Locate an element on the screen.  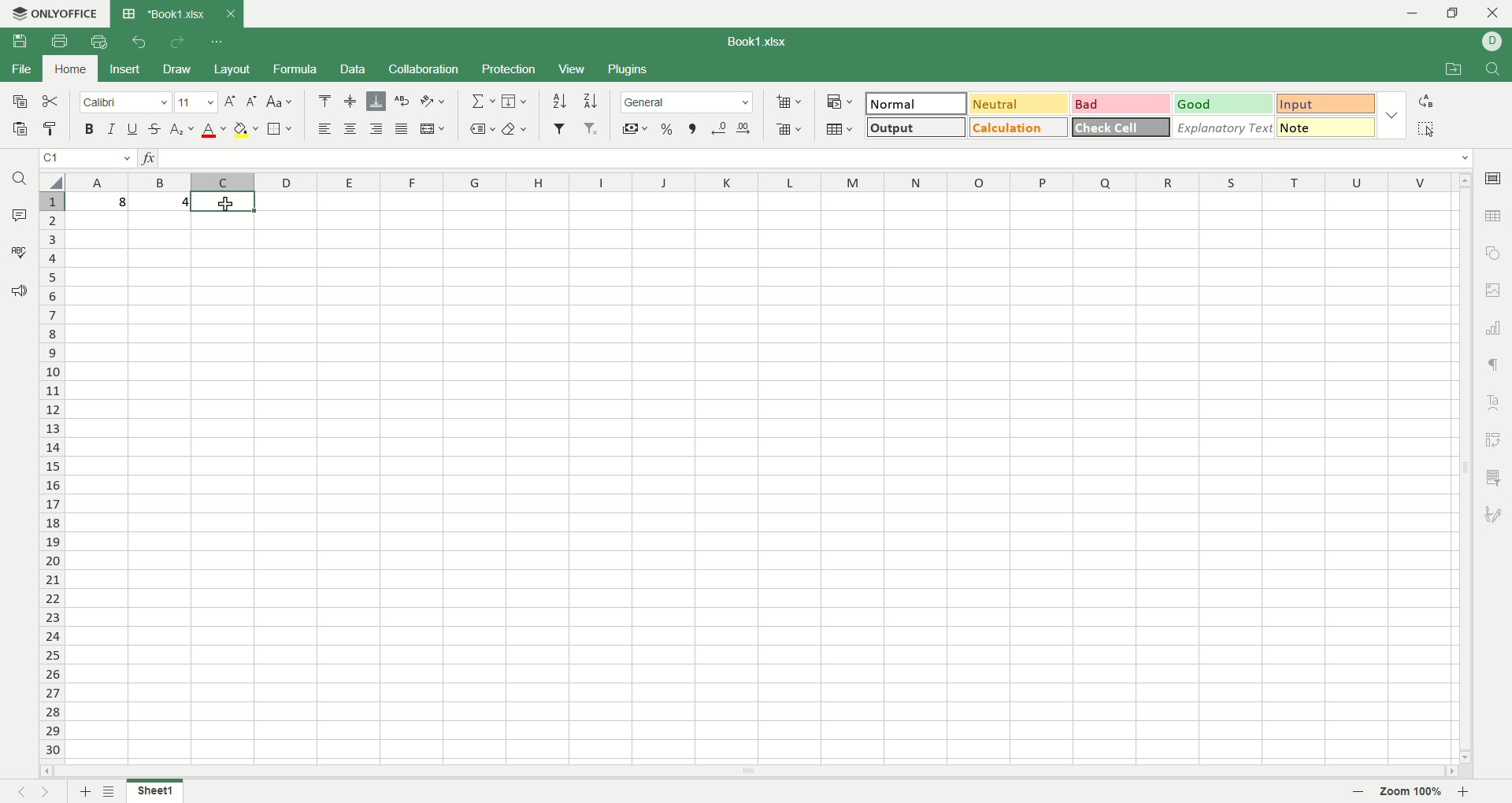
percent format is located at coordinates (669, 129).